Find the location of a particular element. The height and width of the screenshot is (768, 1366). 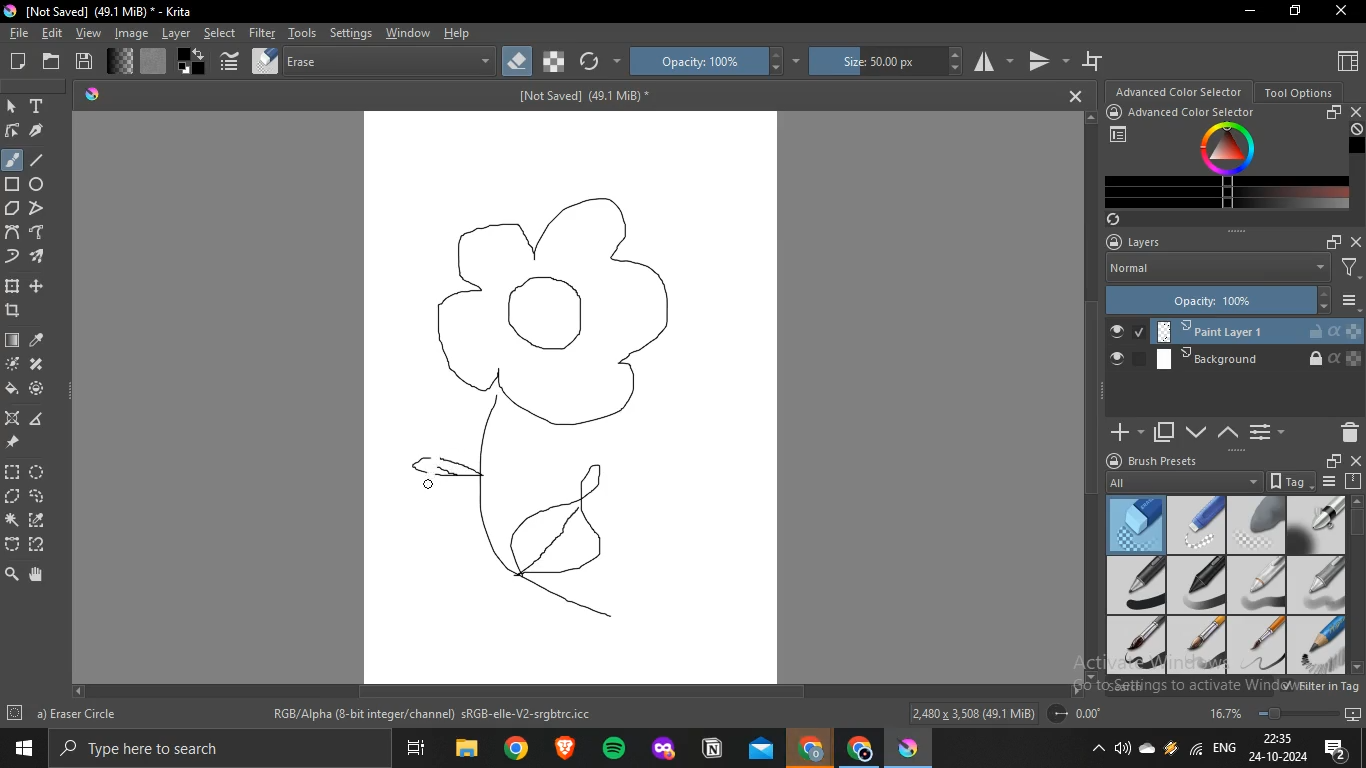

Options is located at coordinates (1265, 432).